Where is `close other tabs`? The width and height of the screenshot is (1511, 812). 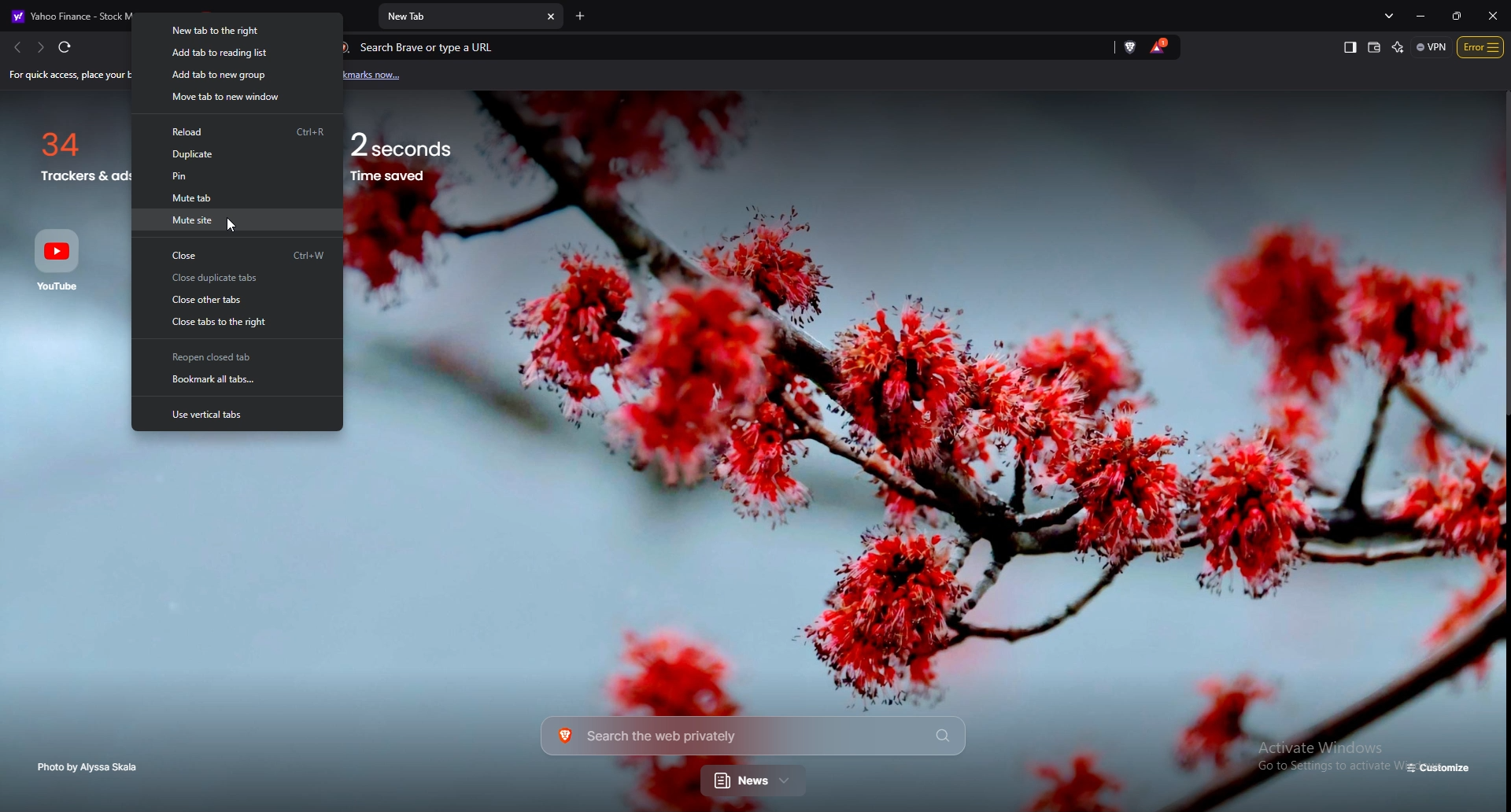 close other tabs is located at coordinates (235, 300).